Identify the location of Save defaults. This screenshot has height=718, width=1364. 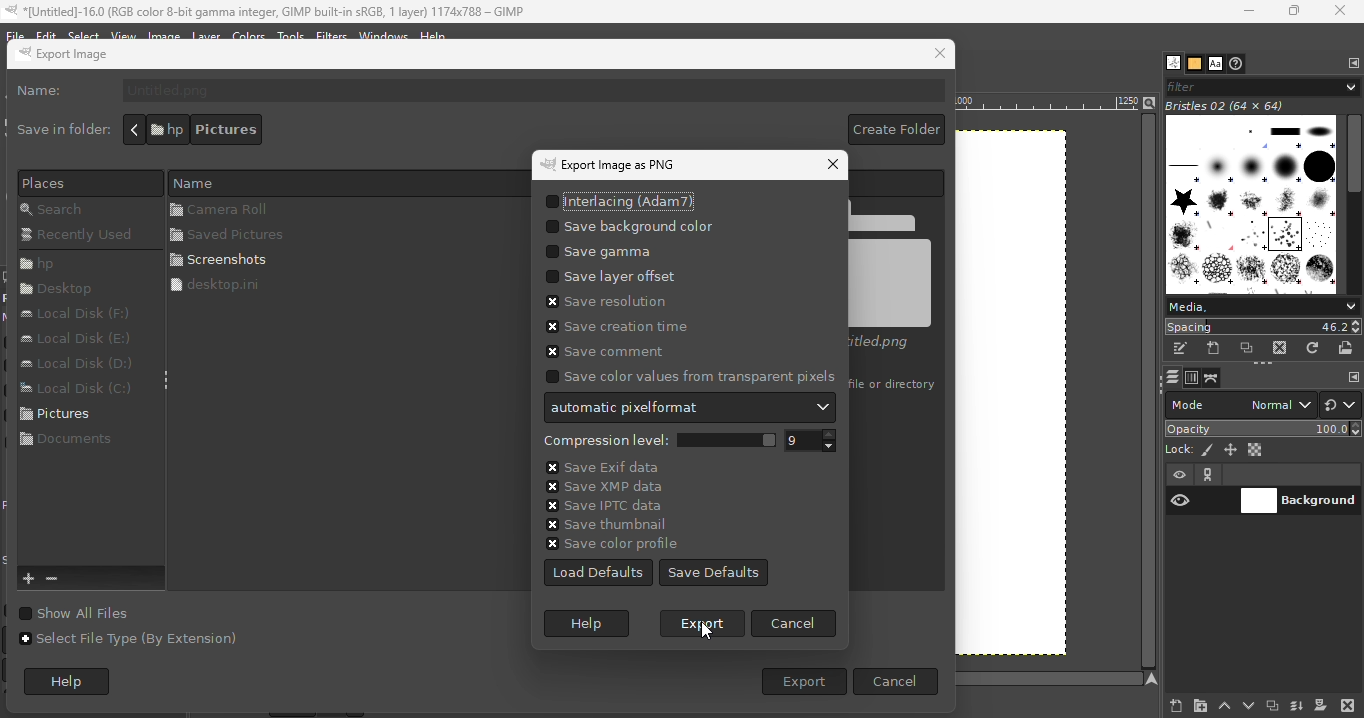
(716, 571).